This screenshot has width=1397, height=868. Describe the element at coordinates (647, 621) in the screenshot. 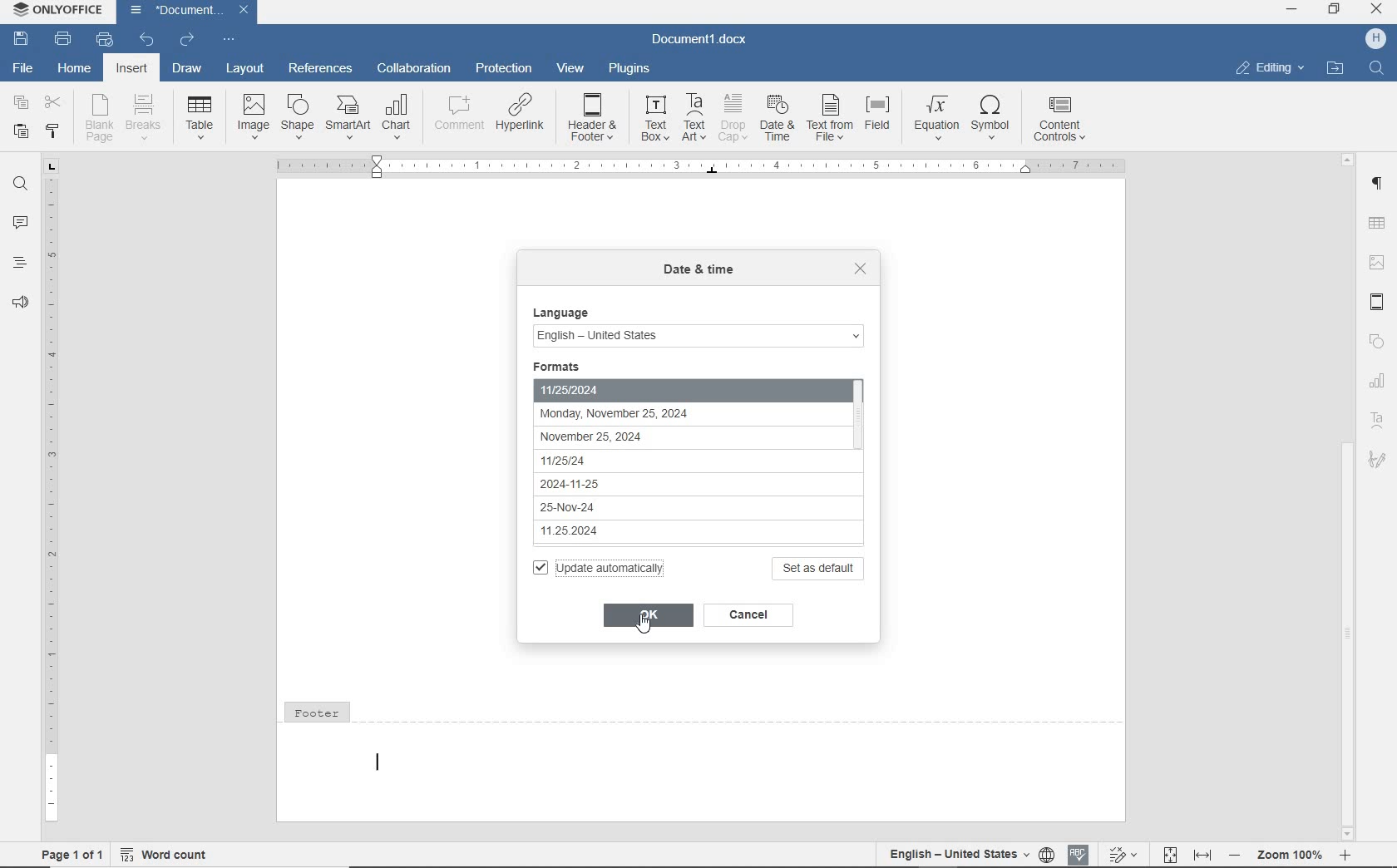

I see `Cursor` at that location.